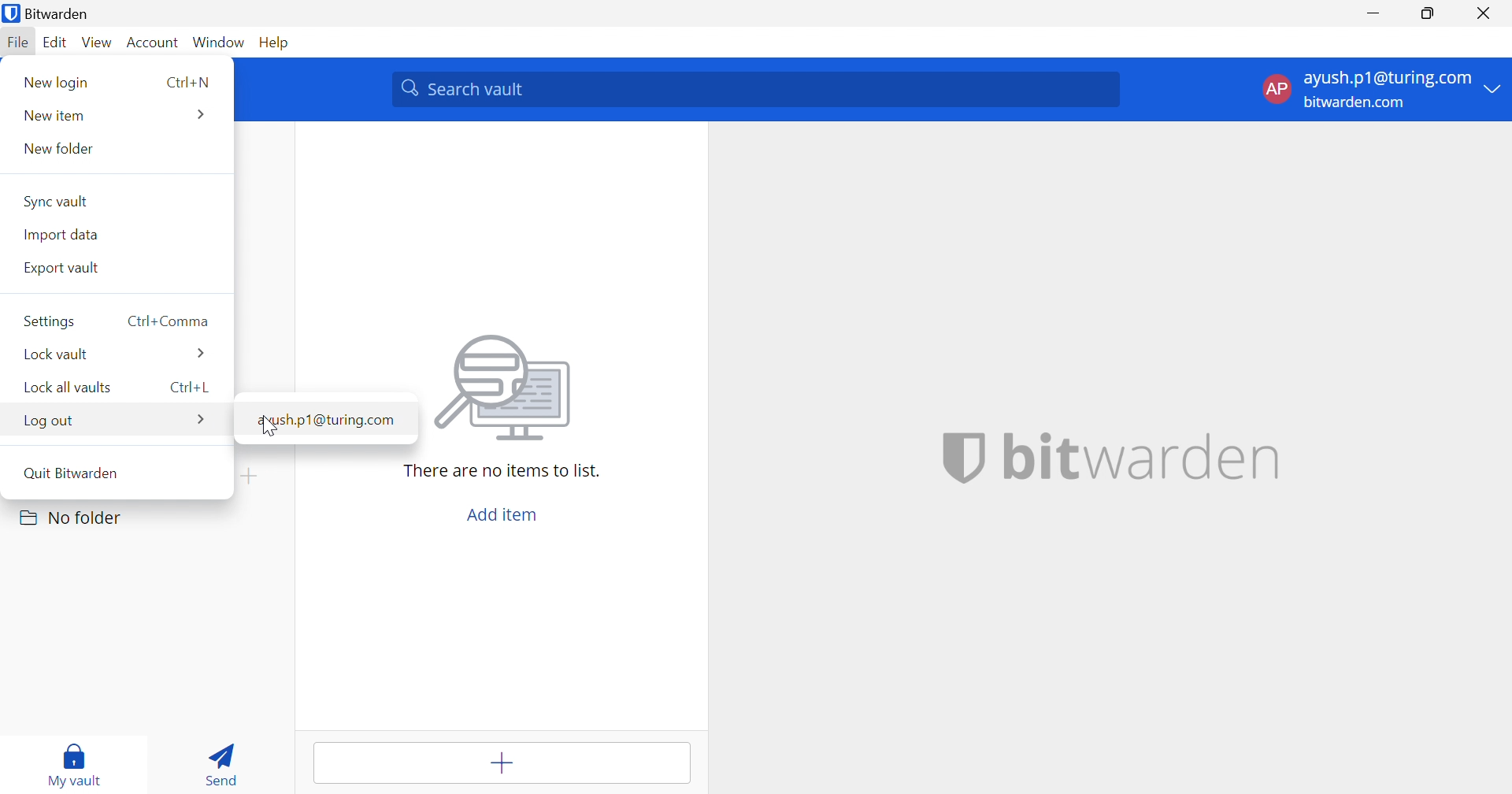  I want to click on image, so click(506, 389).